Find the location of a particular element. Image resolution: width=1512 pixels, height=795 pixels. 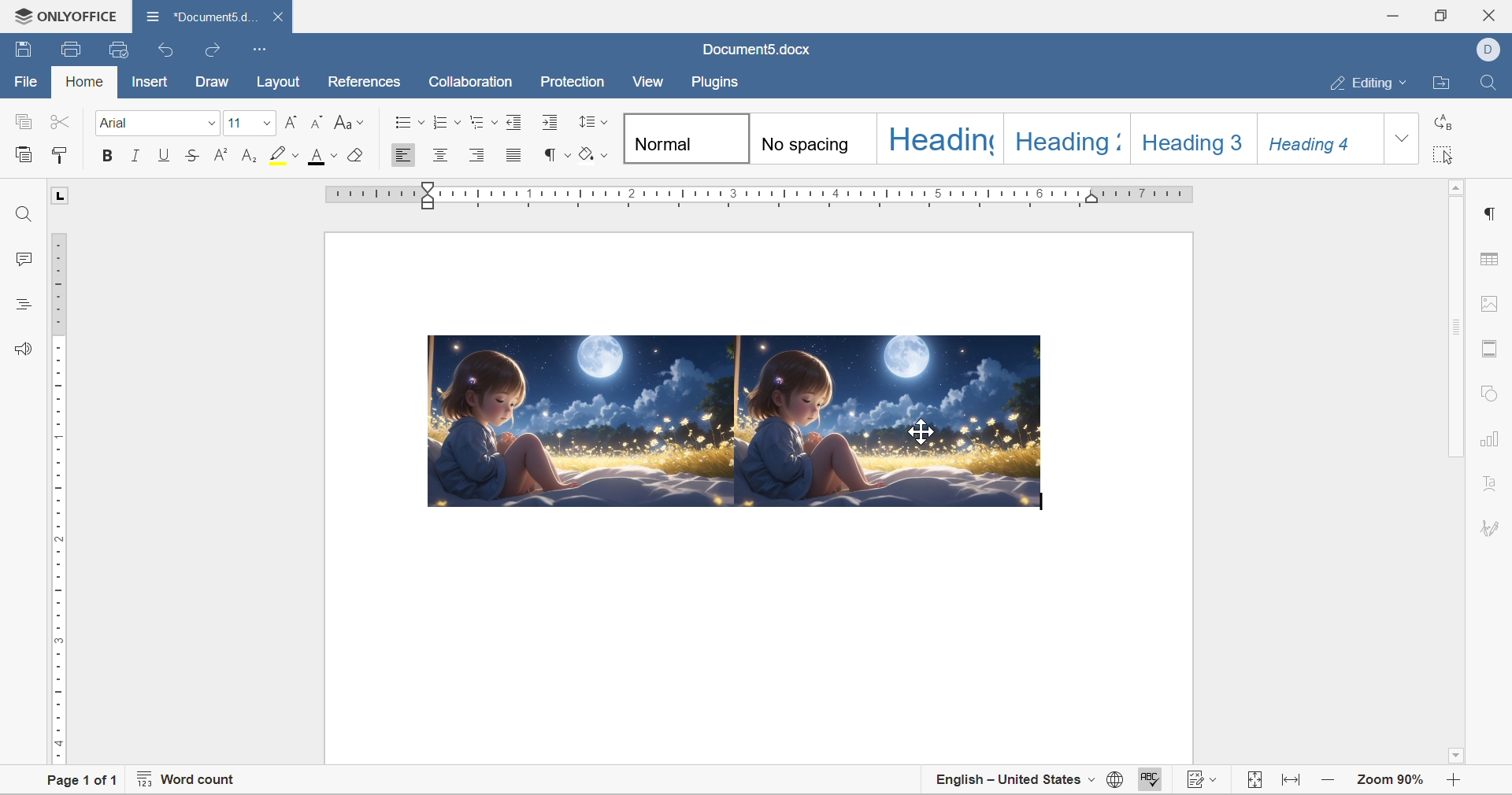

header and foot settings is located at coordinates (1491, 348).